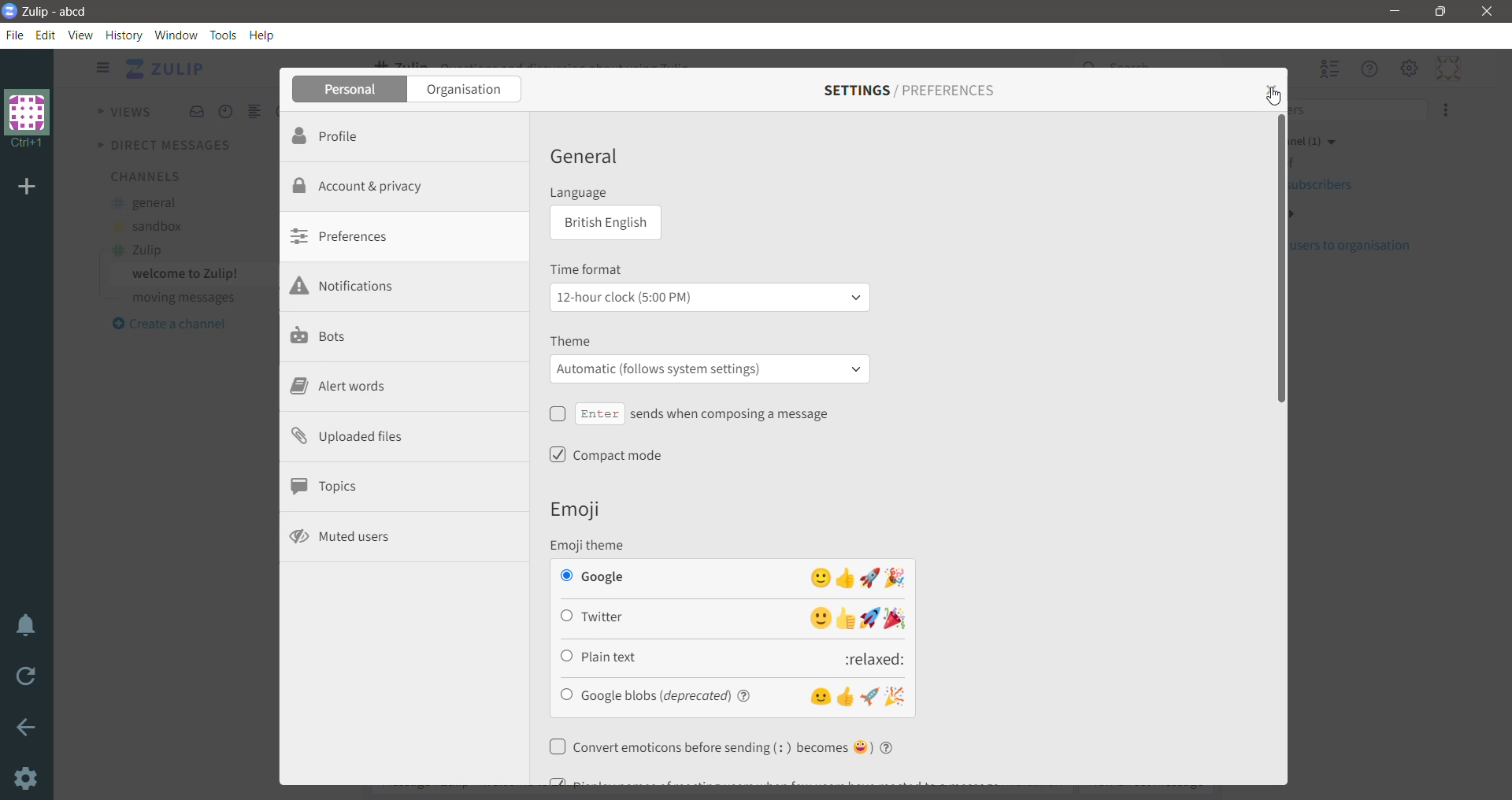 Image resolution: width=1512 pixels, height=800 pixels. Describe the element at coordinates (28, 188) in the screenshot. I see `Add Organization` at that location.